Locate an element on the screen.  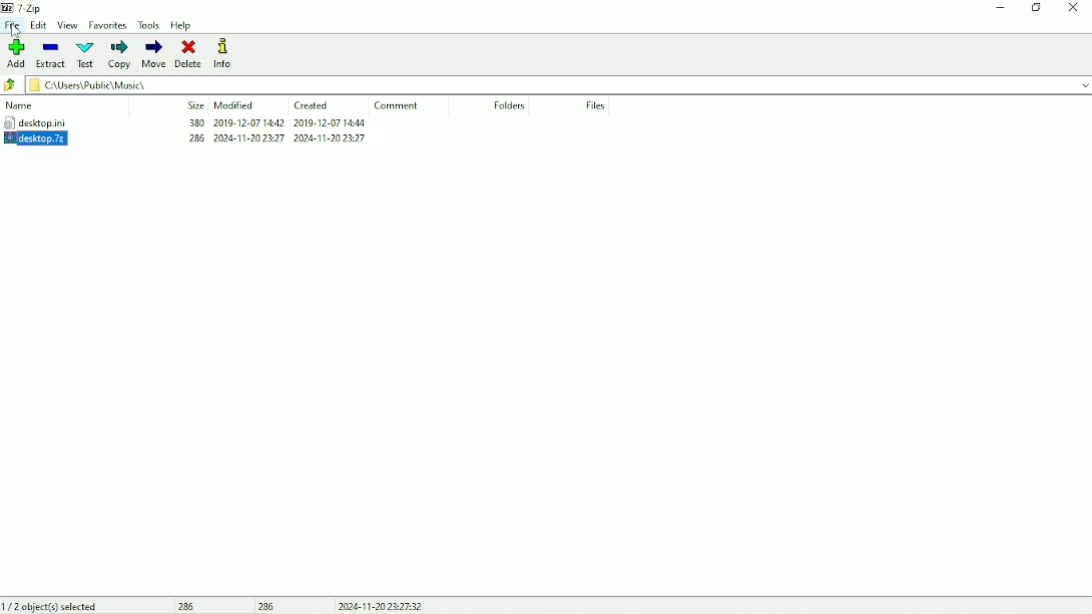
Edit is located at coordinates (39, 26).